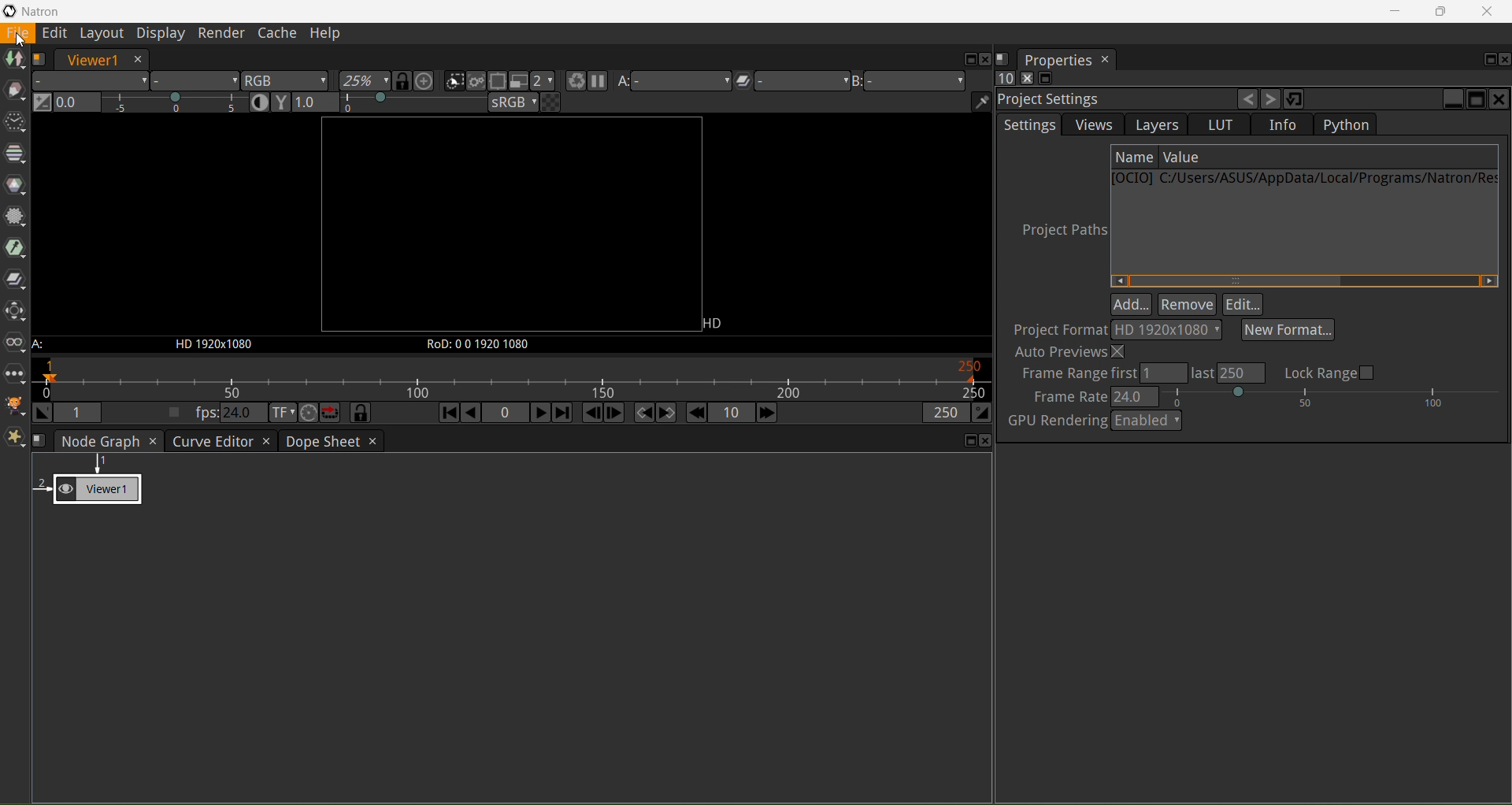  I want to click on Edit, so click(57, 33).